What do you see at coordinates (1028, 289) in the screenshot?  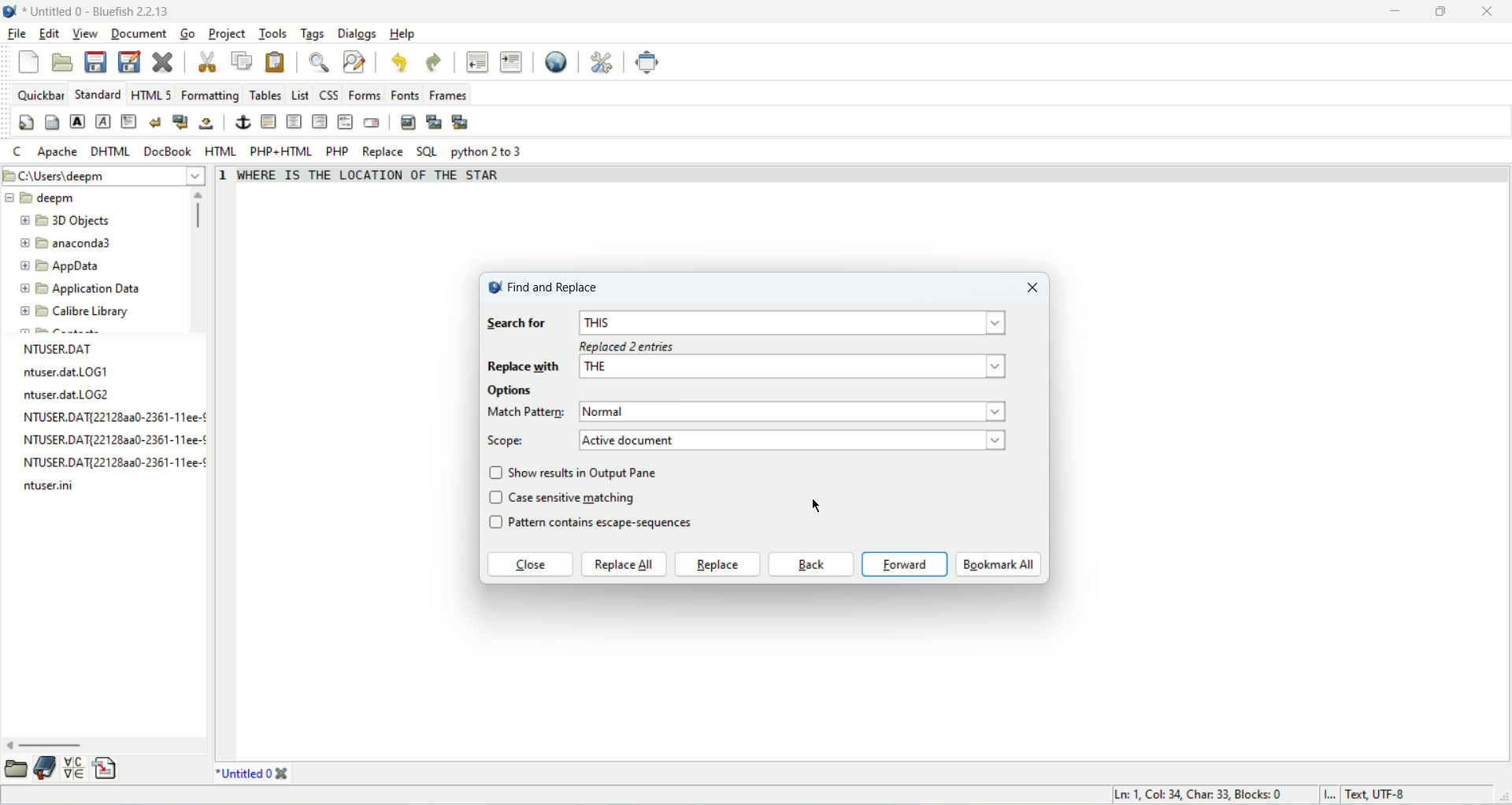 I see `close` at bounding box center [1028, 289].